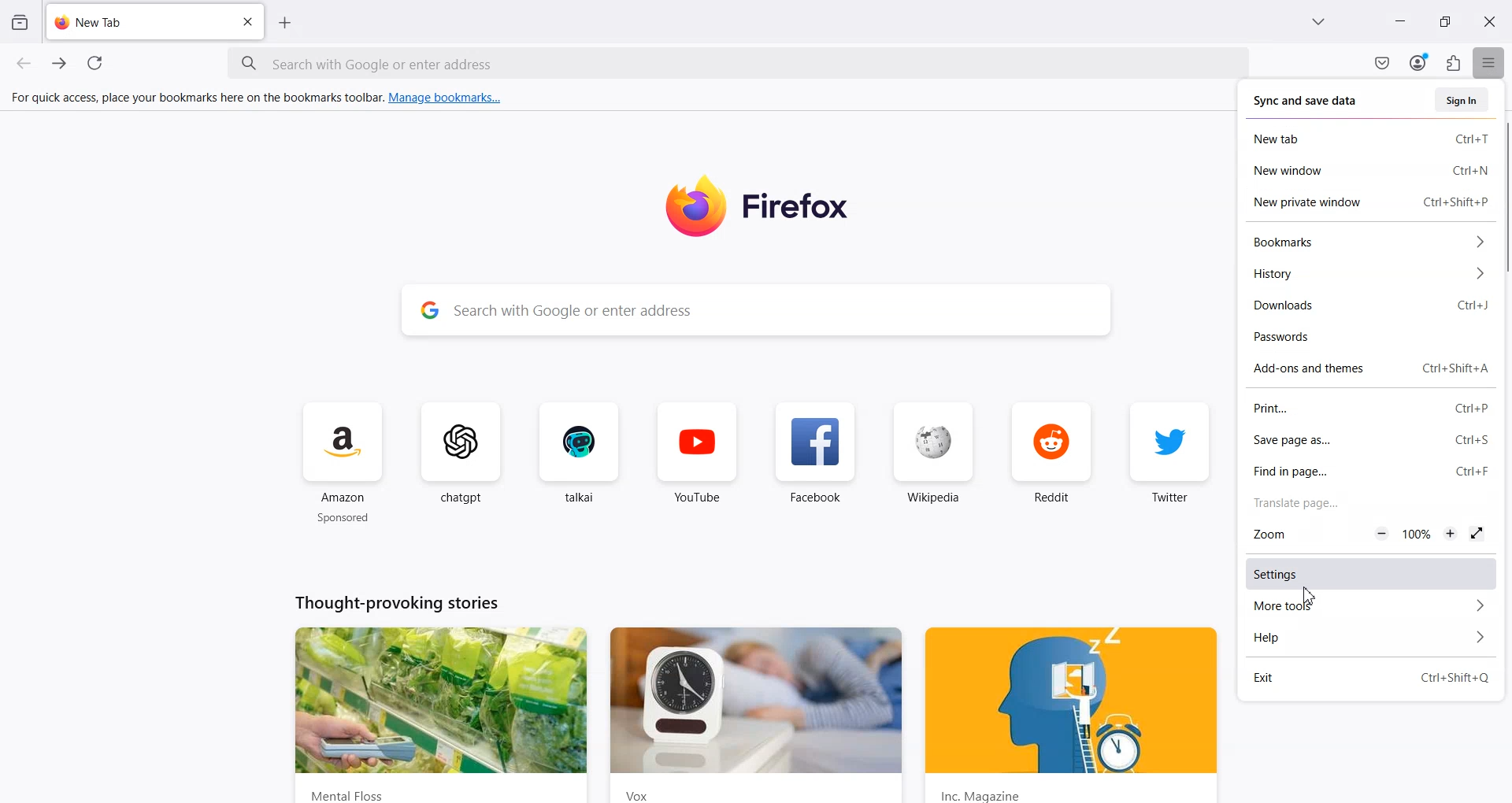 The width and height of the screenshot is (1512, 803). What do you see at coordinates (936, 464) in the screenshot?
I see `Wikipedia` at bounding box center [936, 464].